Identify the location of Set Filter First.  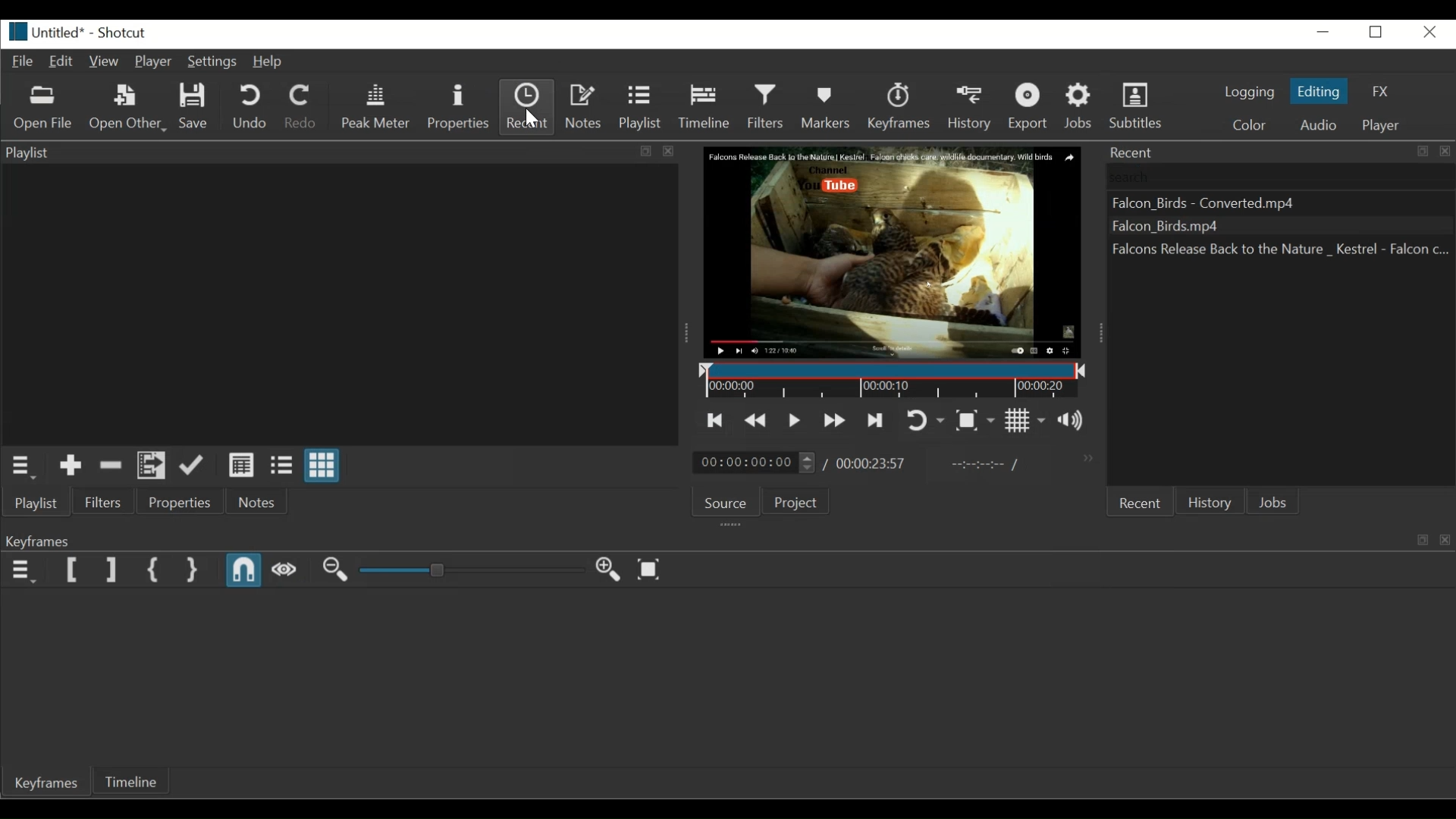
(71, 571).